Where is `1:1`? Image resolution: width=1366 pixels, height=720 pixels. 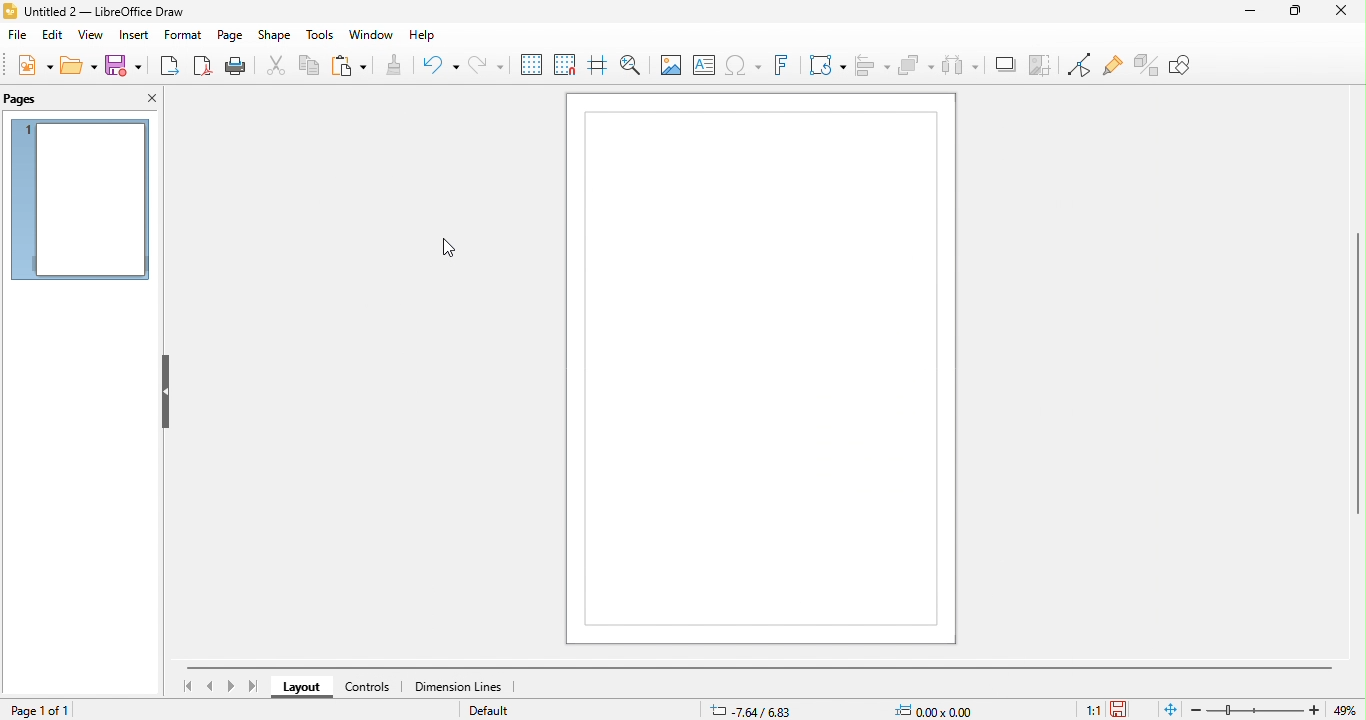
1:1 is located at coordinates (1083, 709).